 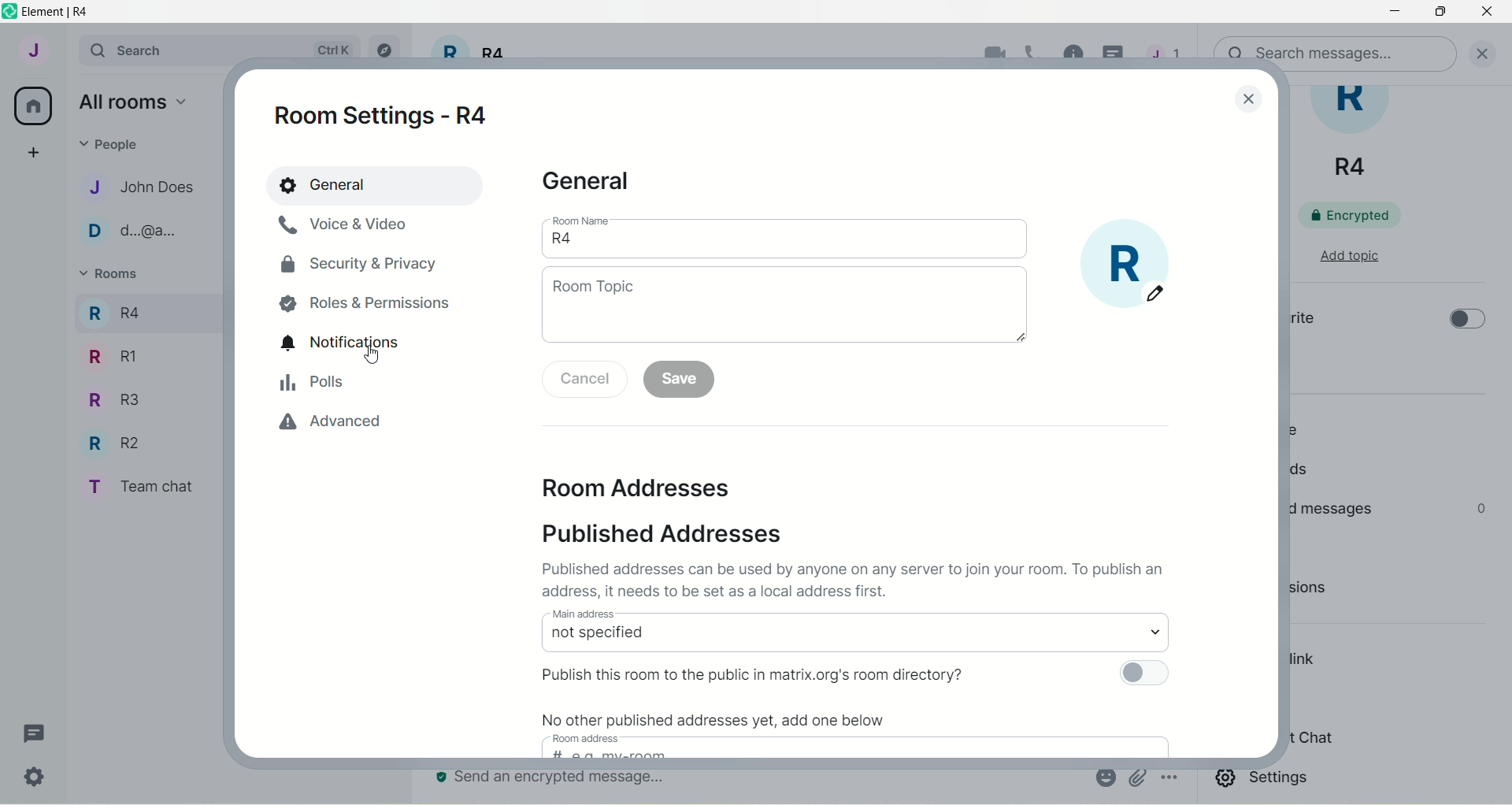 I want to click on ecurity and privacy, so click(x=354, y=266).